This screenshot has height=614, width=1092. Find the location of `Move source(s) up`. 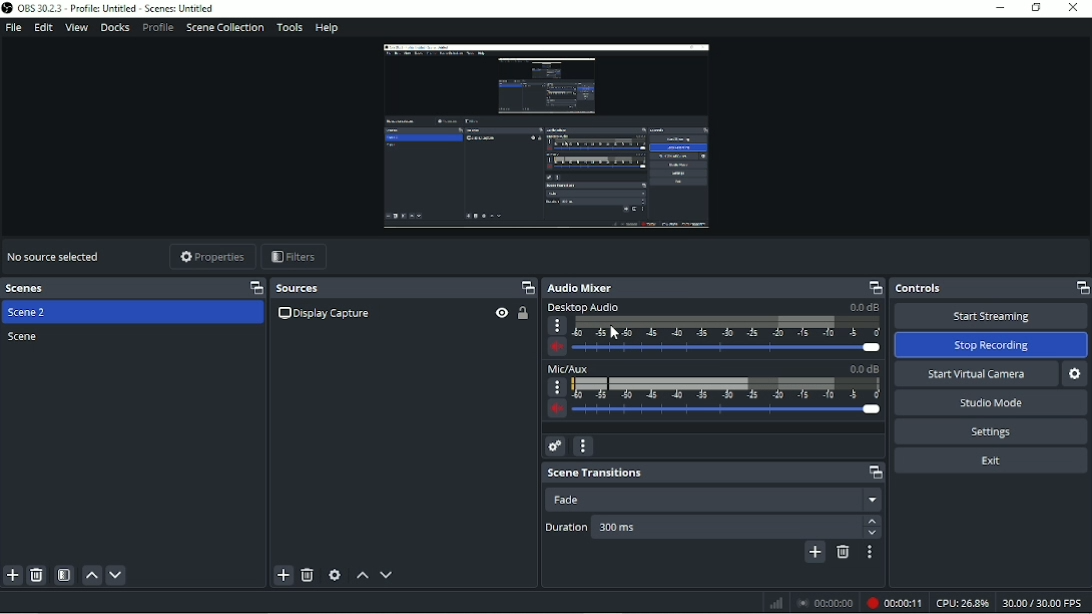

Move source(s) up is located at coordinates (361, 574).